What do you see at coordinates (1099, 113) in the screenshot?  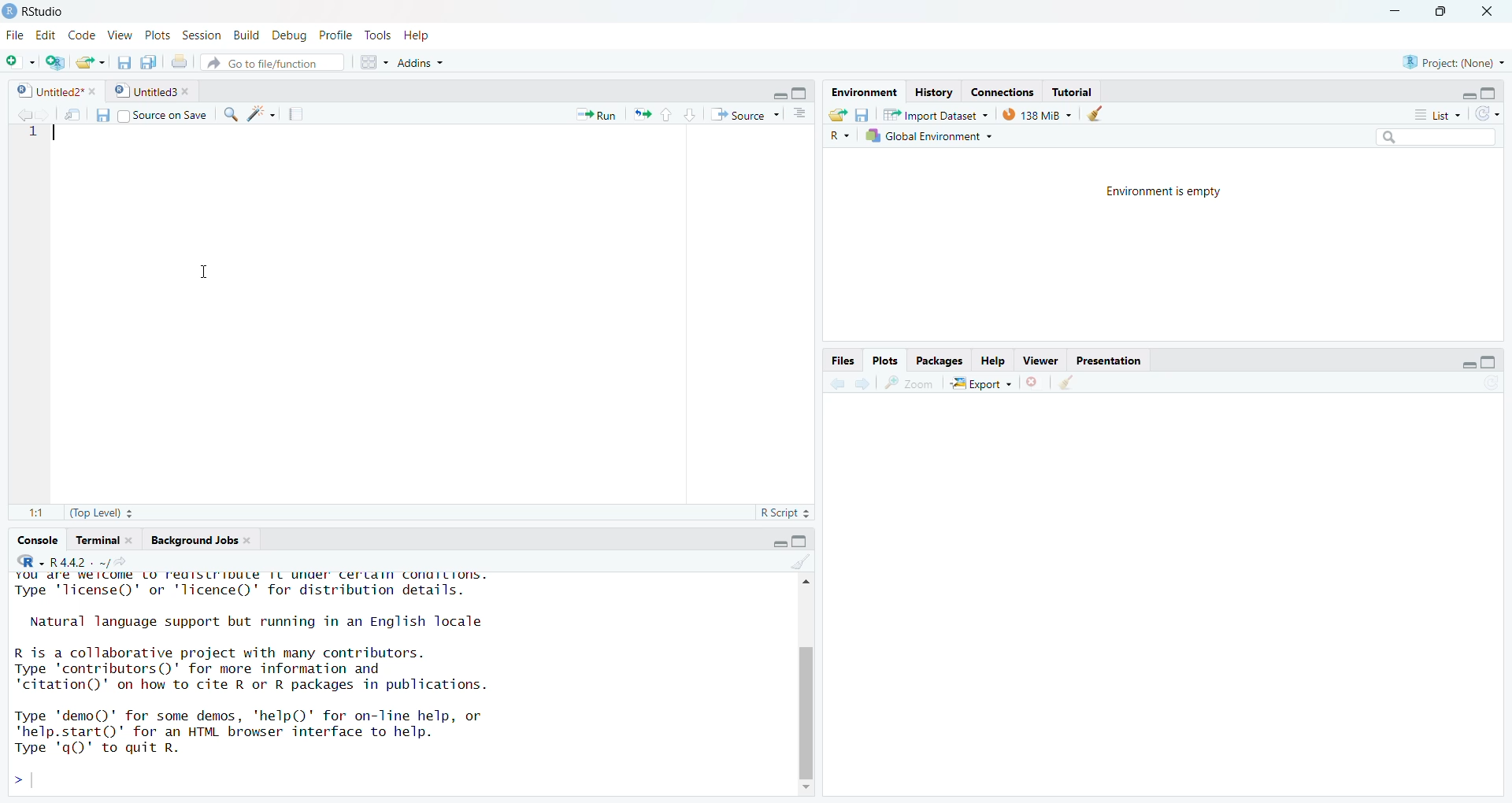 I see `clear objects` at bounding box center [1099, 113].